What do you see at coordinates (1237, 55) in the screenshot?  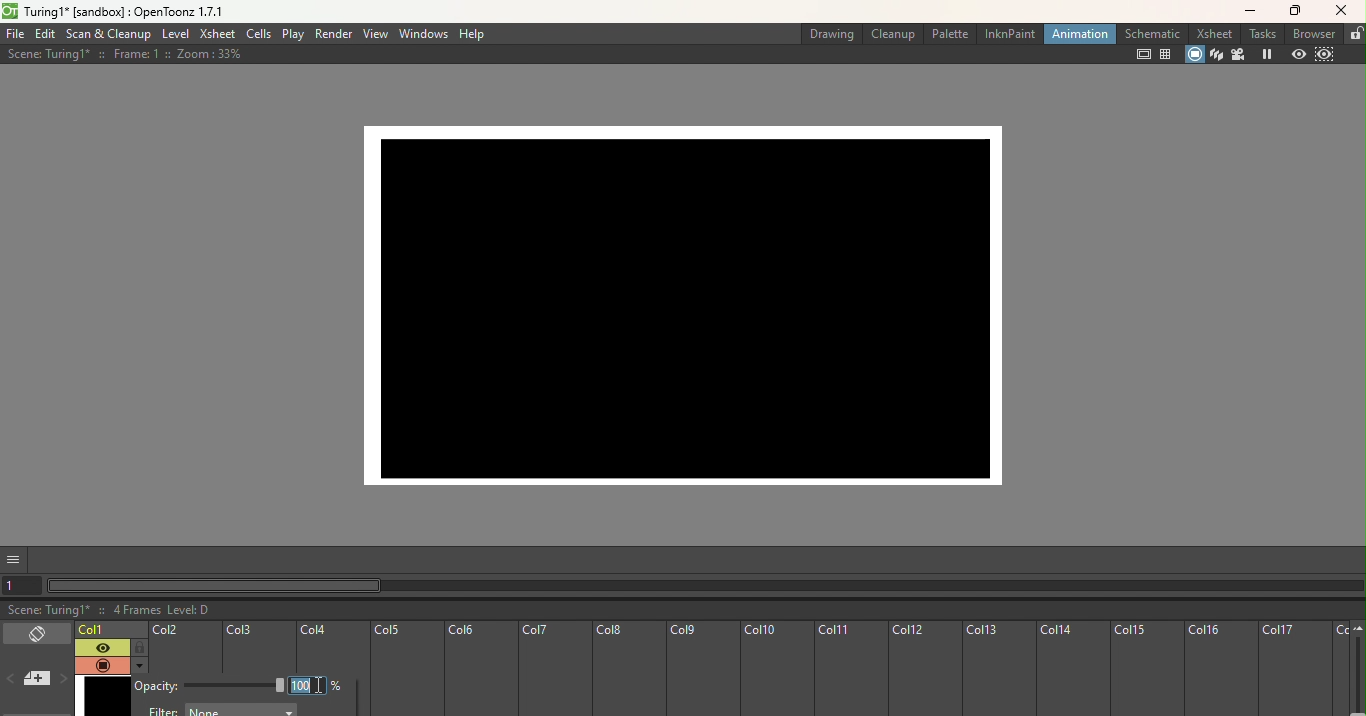 I see `Camera view` at bounding box center [1237, 55].